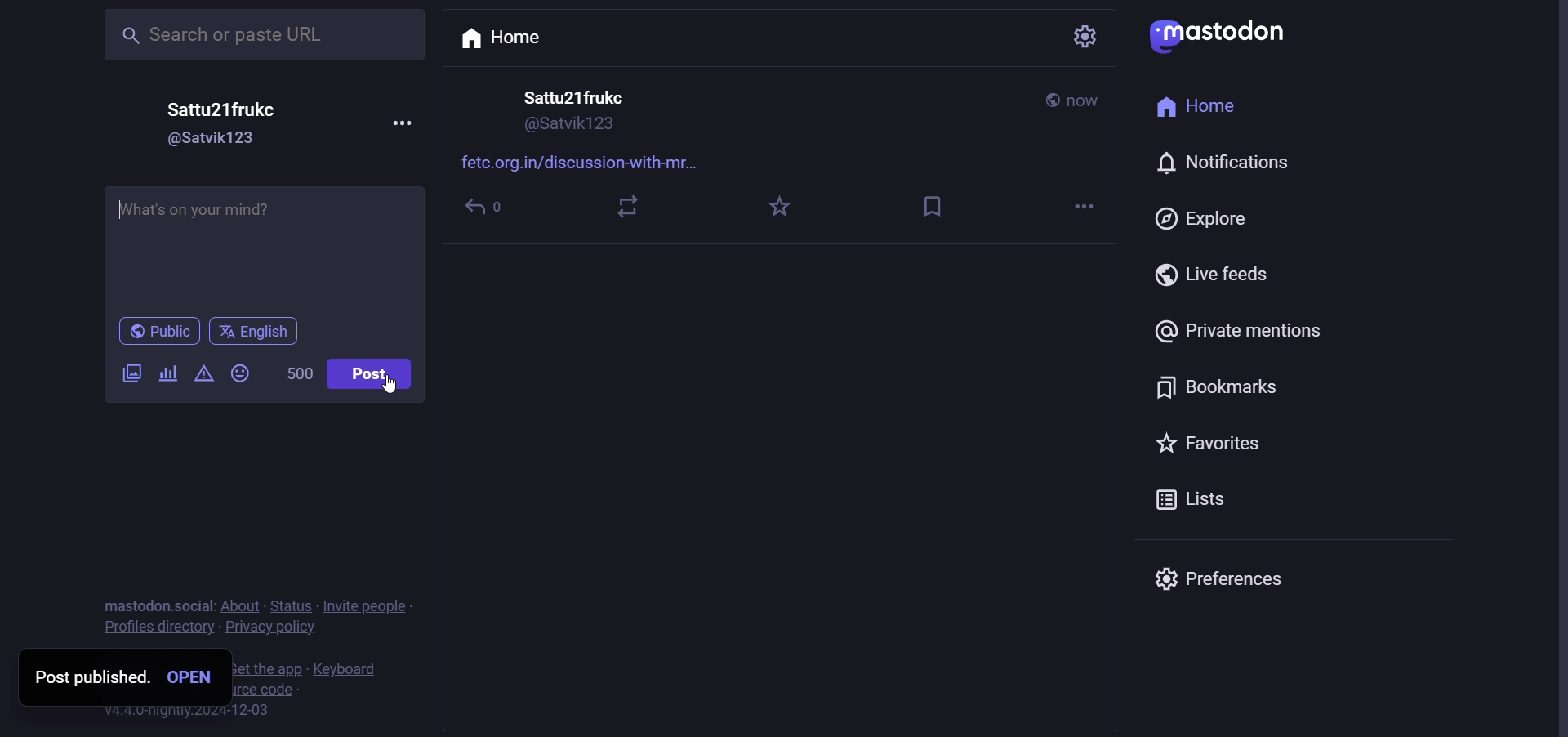 The image size is (1568, 737). What do you see at coordinates (381, 607) in the screenshot?
I see `invite people` at bounding box center [381, 607].